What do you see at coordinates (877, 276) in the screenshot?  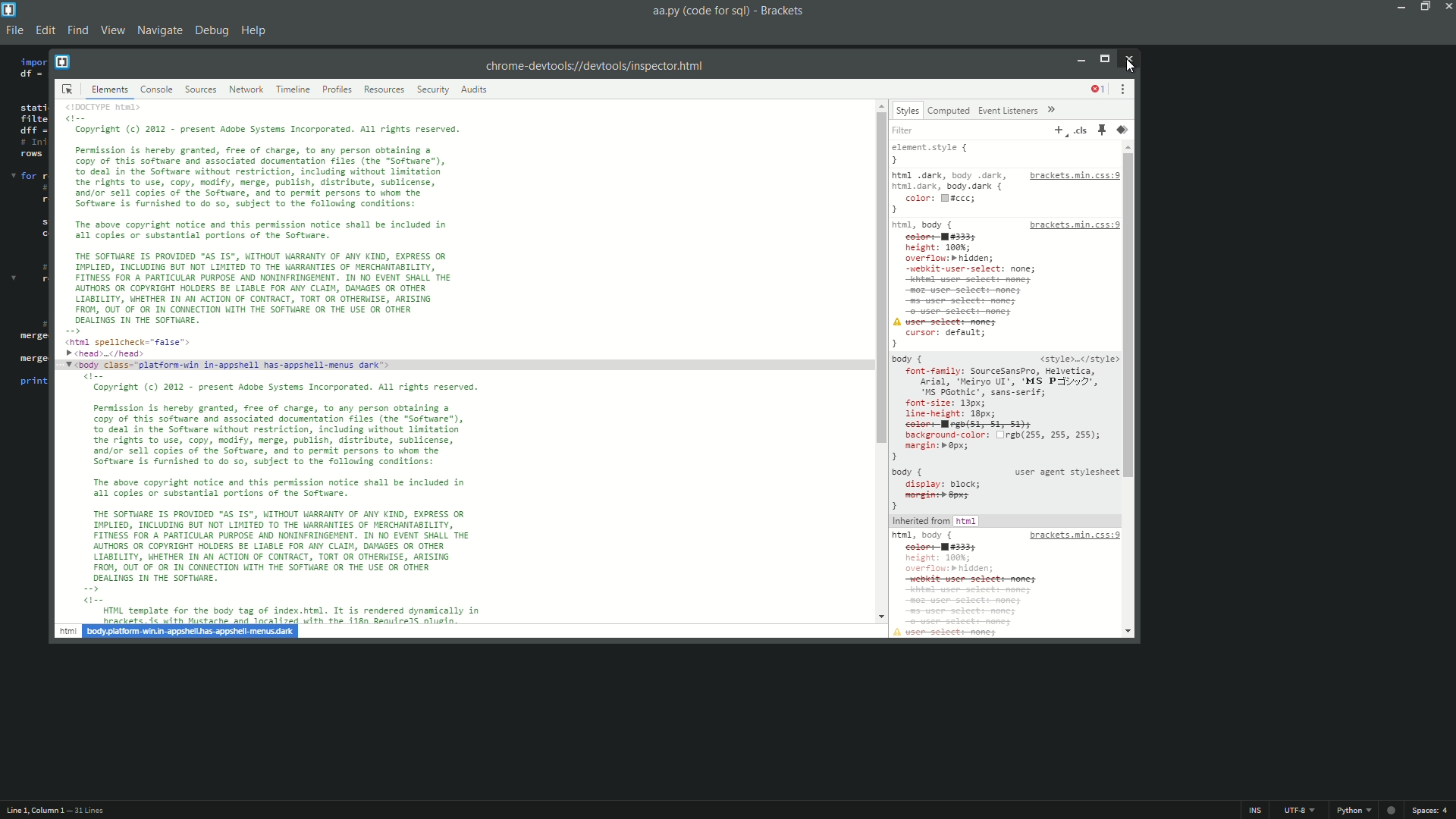 I see `scroll bar` at bounding box center [877, 276].